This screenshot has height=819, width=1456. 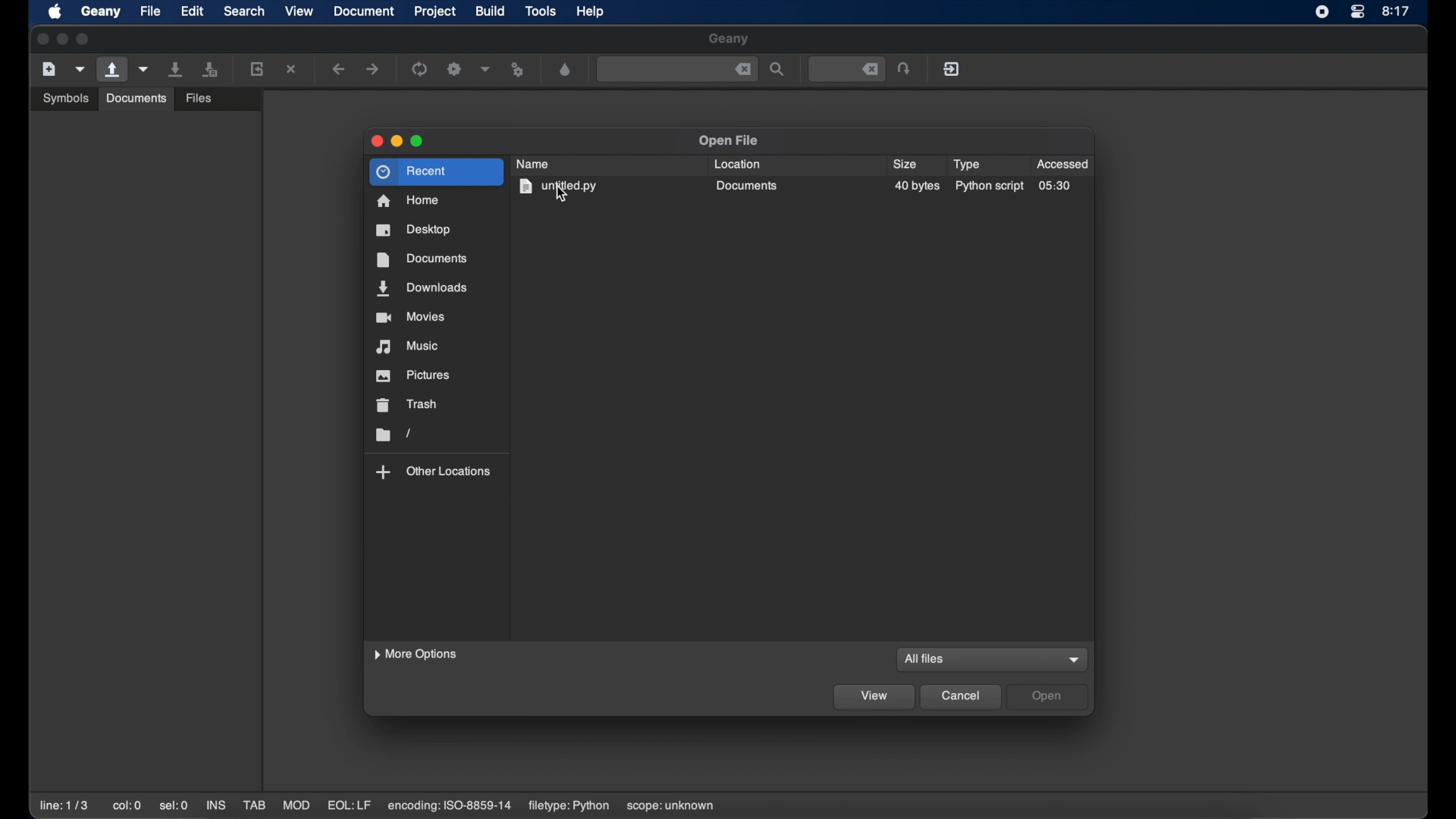 What do you see at coordinates (41, 38) in the screenshot?
I see `close` at bounding box center [41, 38].